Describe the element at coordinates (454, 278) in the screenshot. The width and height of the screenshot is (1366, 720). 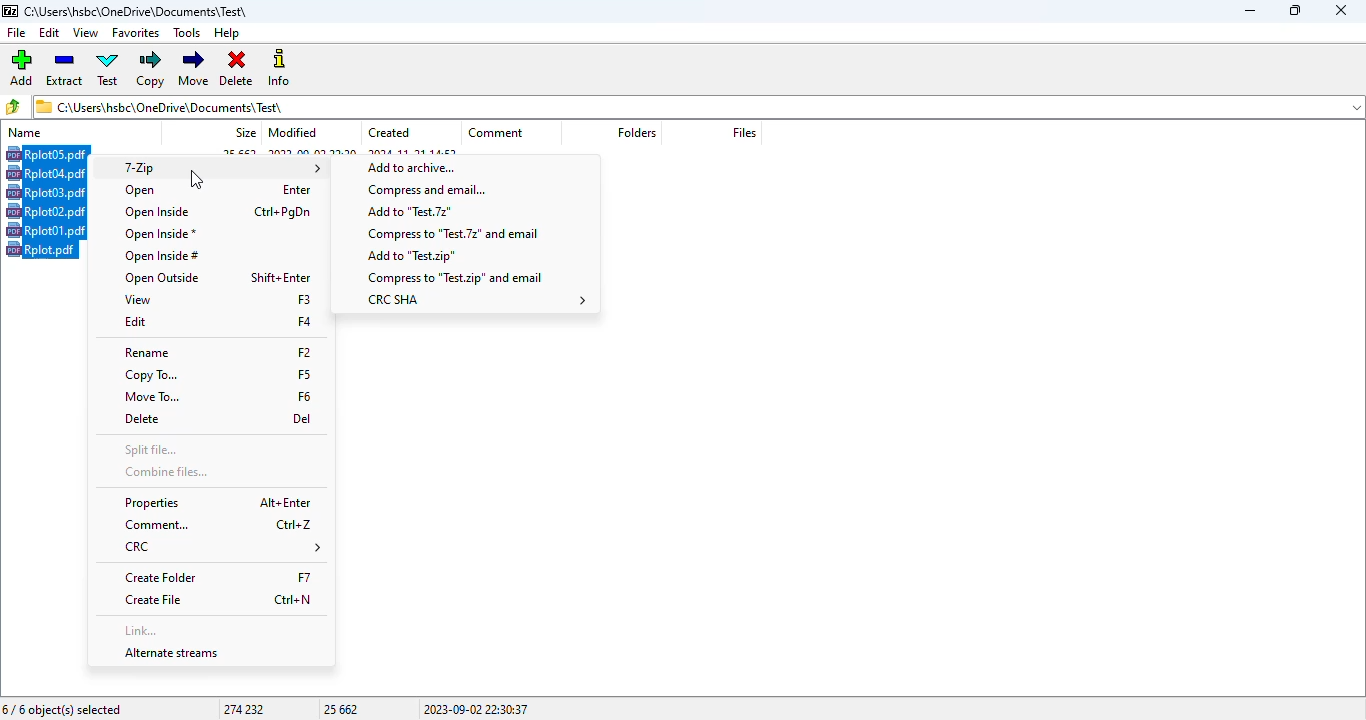
I see `compress to test.zip and email` at that location.